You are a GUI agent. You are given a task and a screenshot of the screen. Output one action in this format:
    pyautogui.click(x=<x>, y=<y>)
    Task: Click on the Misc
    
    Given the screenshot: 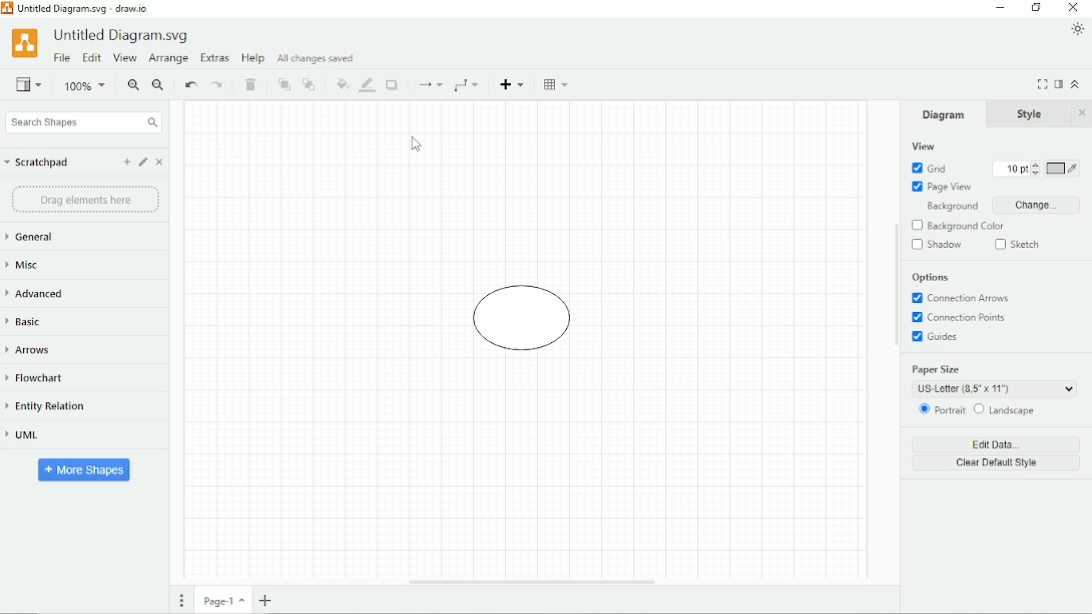 What is the action you would take?
    pyautogui.click(x=27, y=265)
    